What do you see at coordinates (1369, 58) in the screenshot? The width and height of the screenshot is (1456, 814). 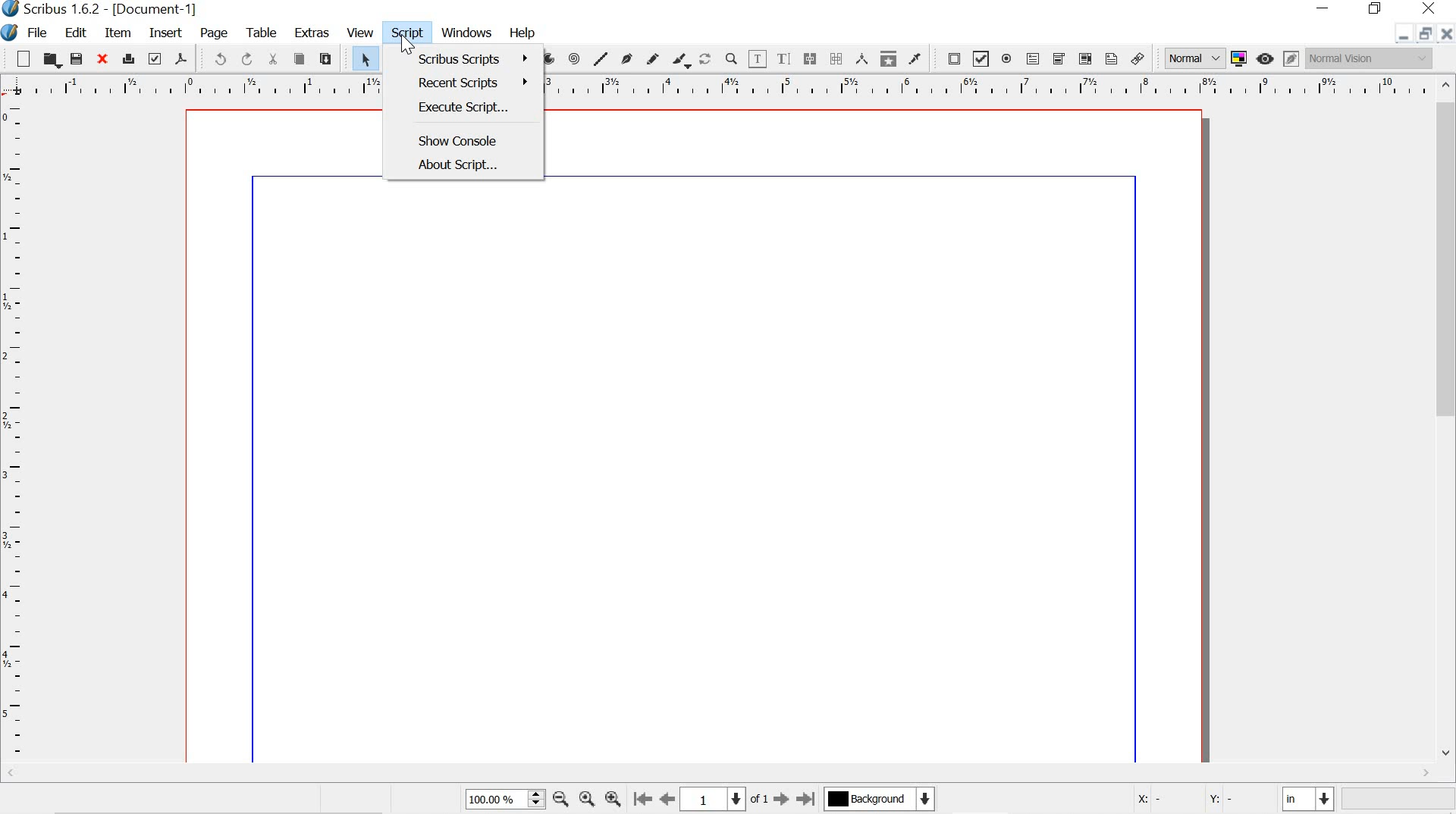 I see `Normal Vision` at bounding box center [1369, 58].